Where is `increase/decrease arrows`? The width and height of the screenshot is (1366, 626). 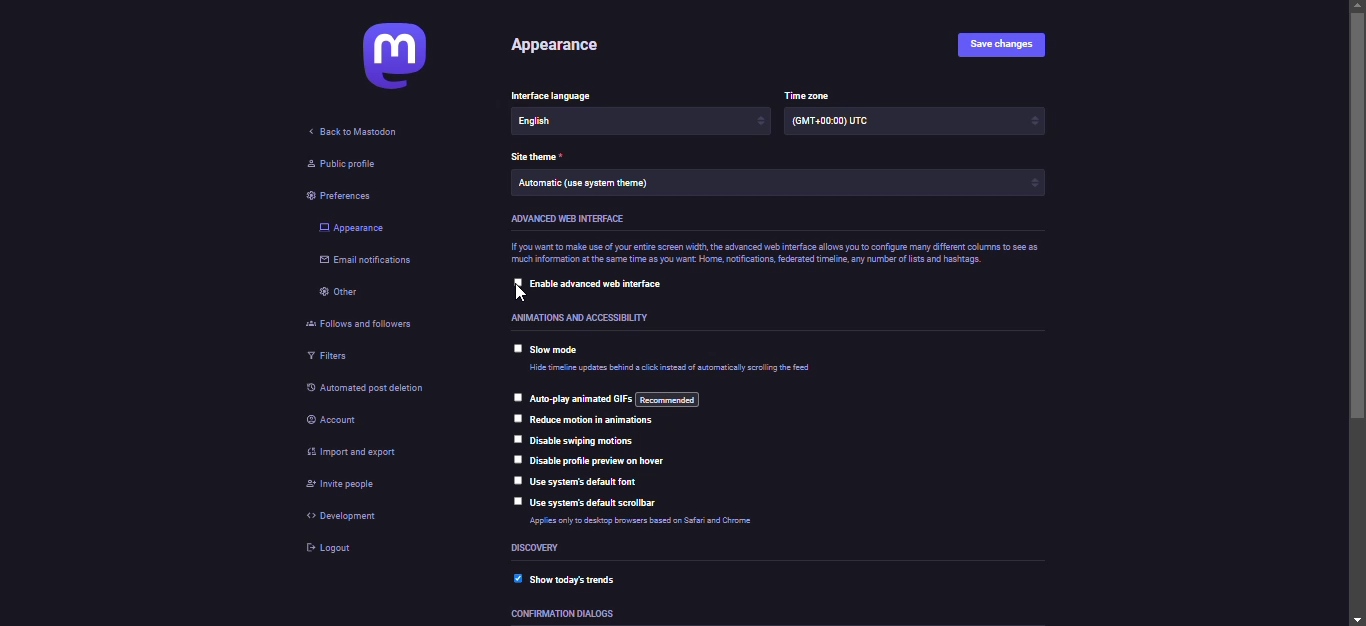 increase/decrease arrows is located at coordinates (760, 122).